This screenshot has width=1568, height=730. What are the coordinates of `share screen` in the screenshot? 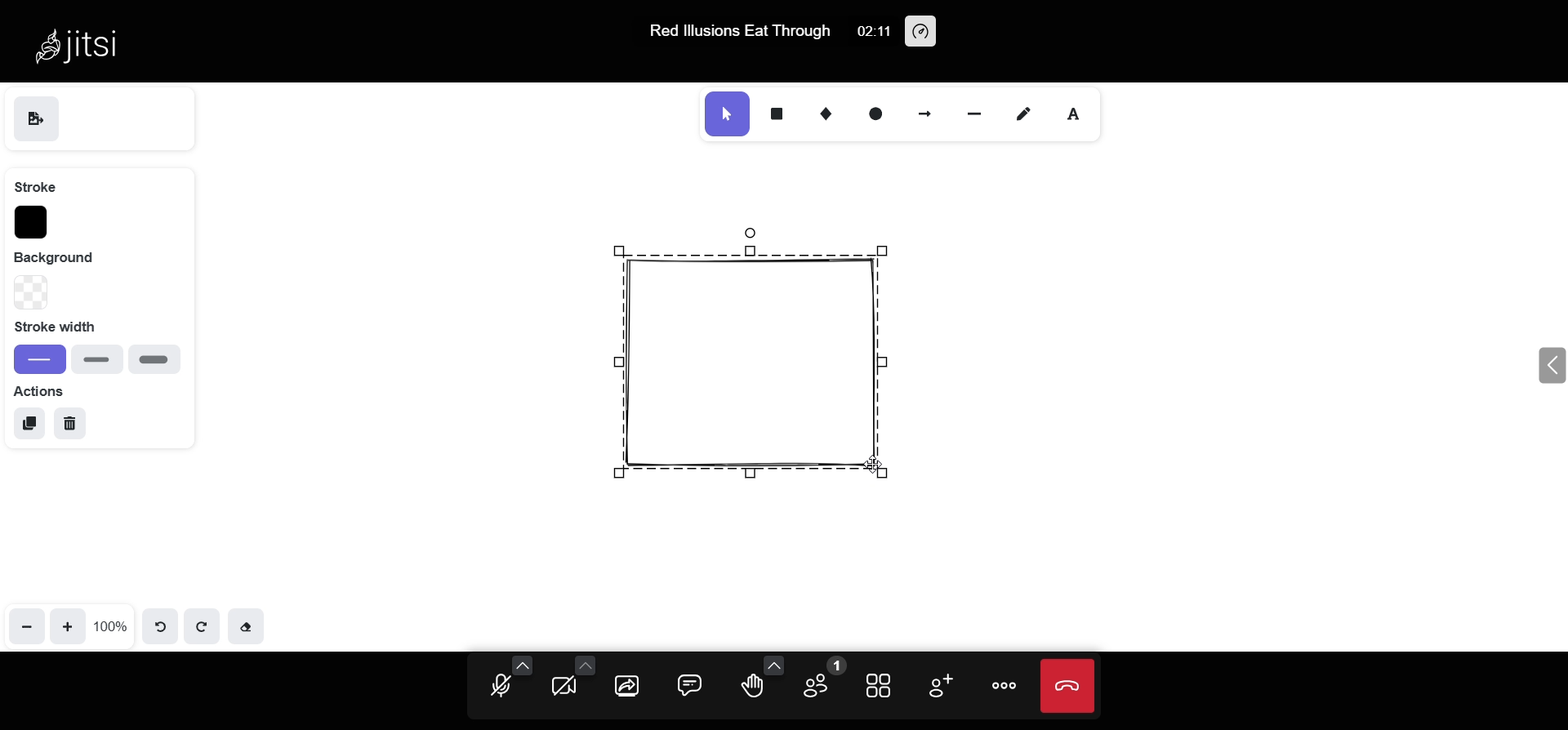 It's located at (629, 686).